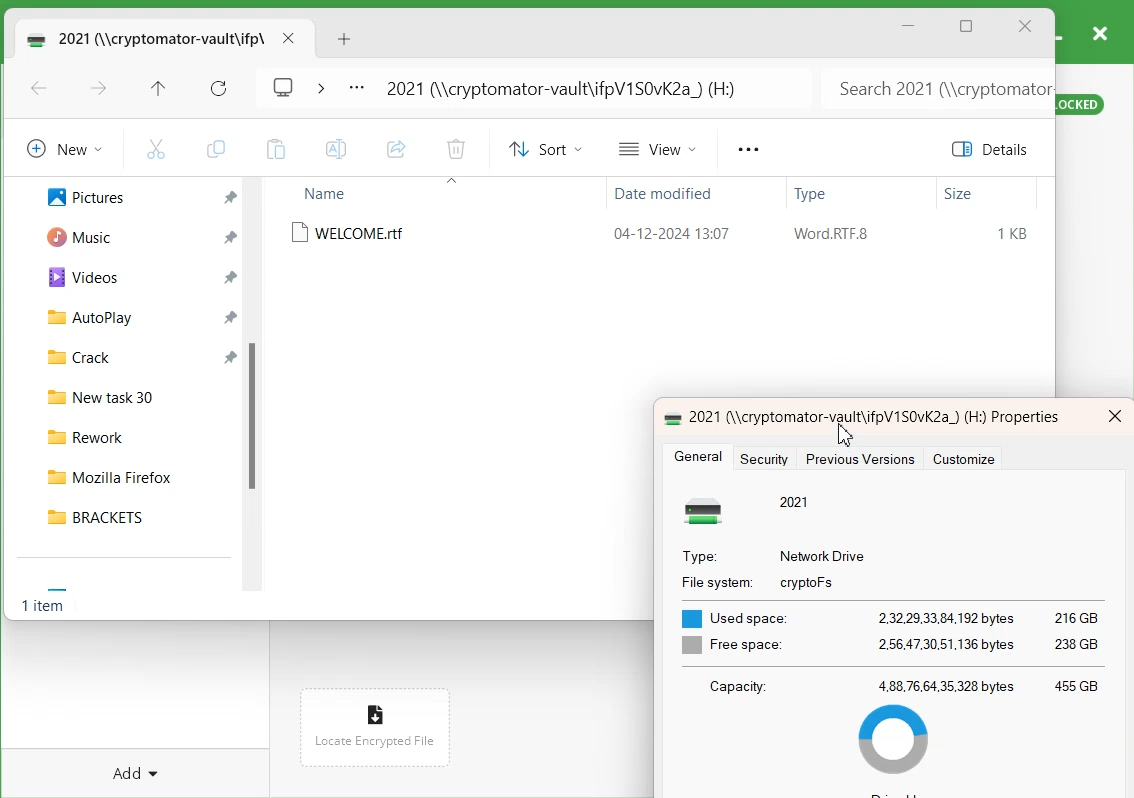 This screenshot has height=798, width=1134. Describe the element at coordinates (347, 39) in the screenshot. I see `Add new Tab` at that location.